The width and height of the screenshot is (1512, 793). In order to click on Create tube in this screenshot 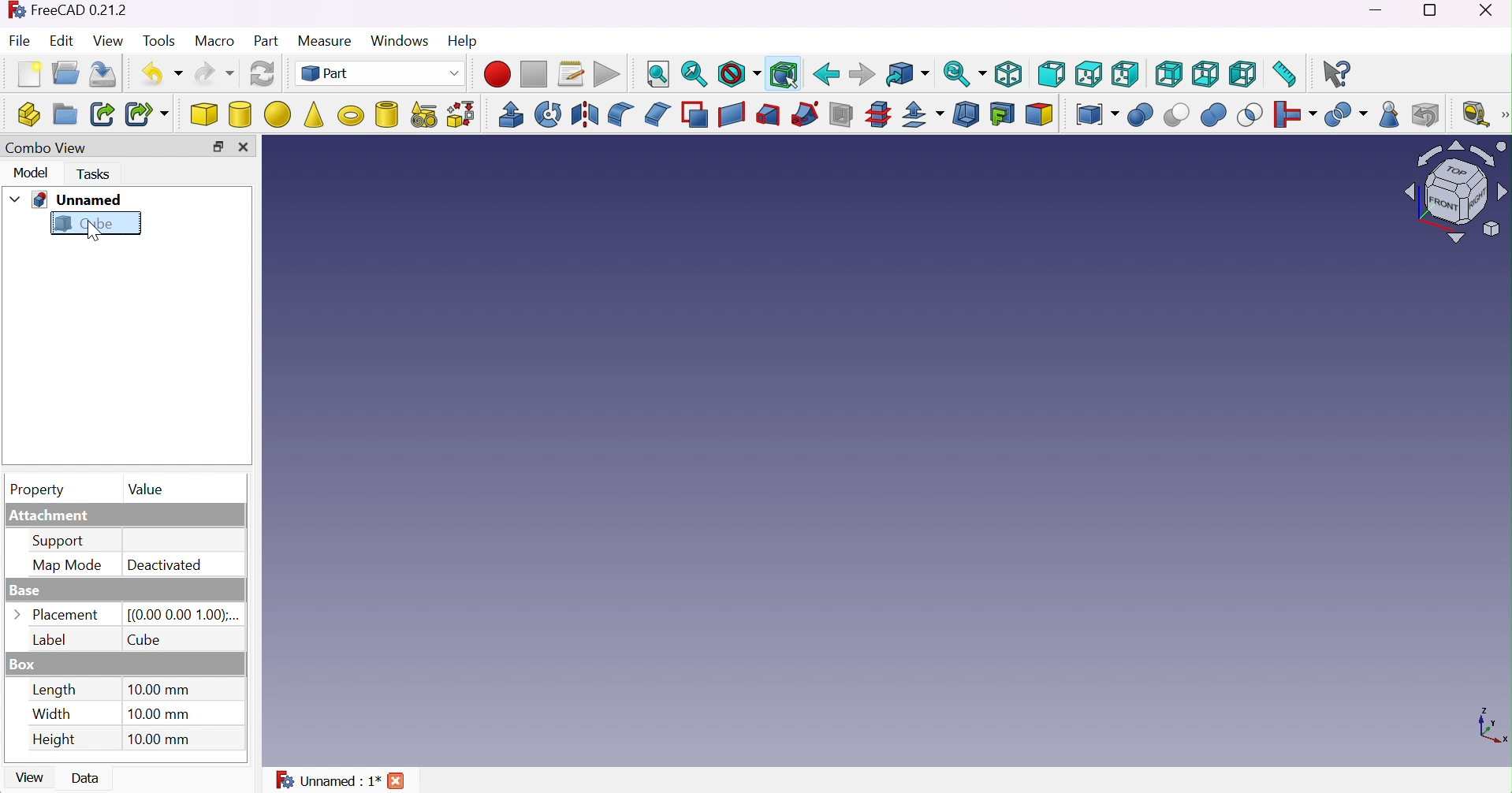, I will do `click(387, 114)`.